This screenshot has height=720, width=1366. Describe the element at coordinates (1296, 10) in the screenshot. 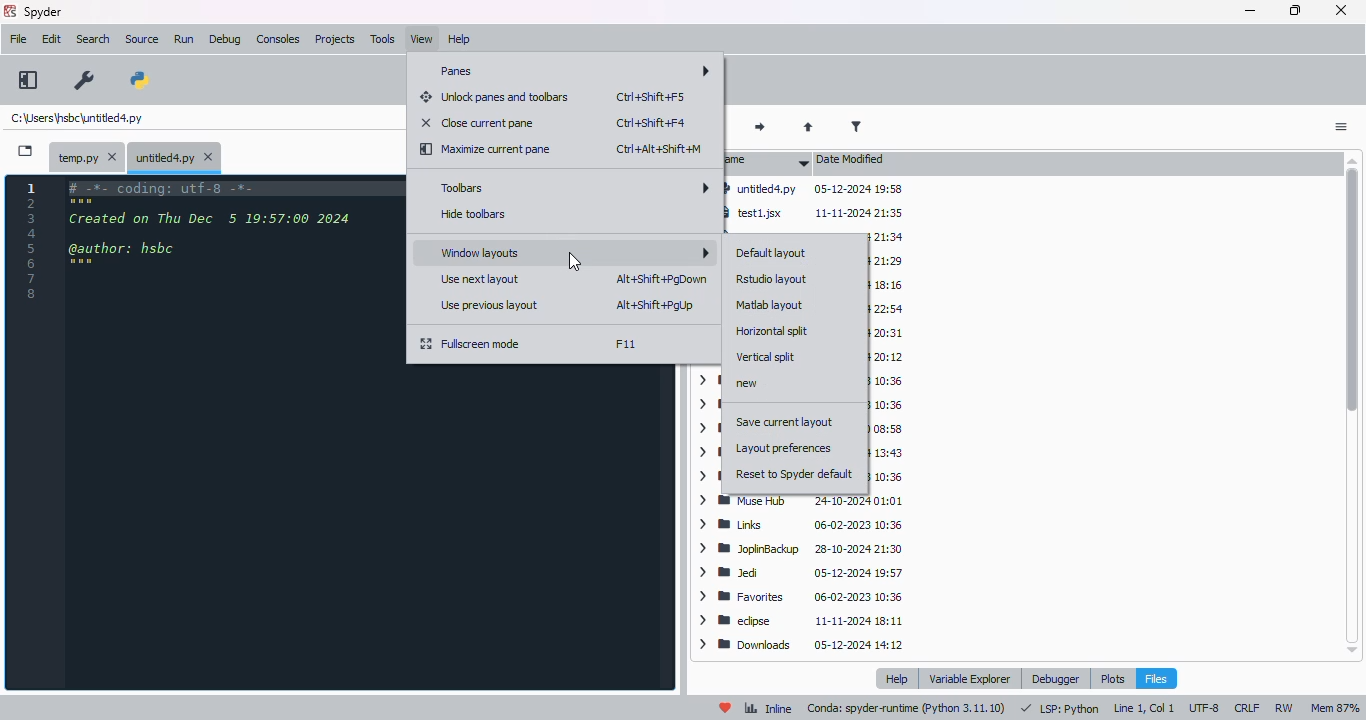

I see `maximize` at that location.